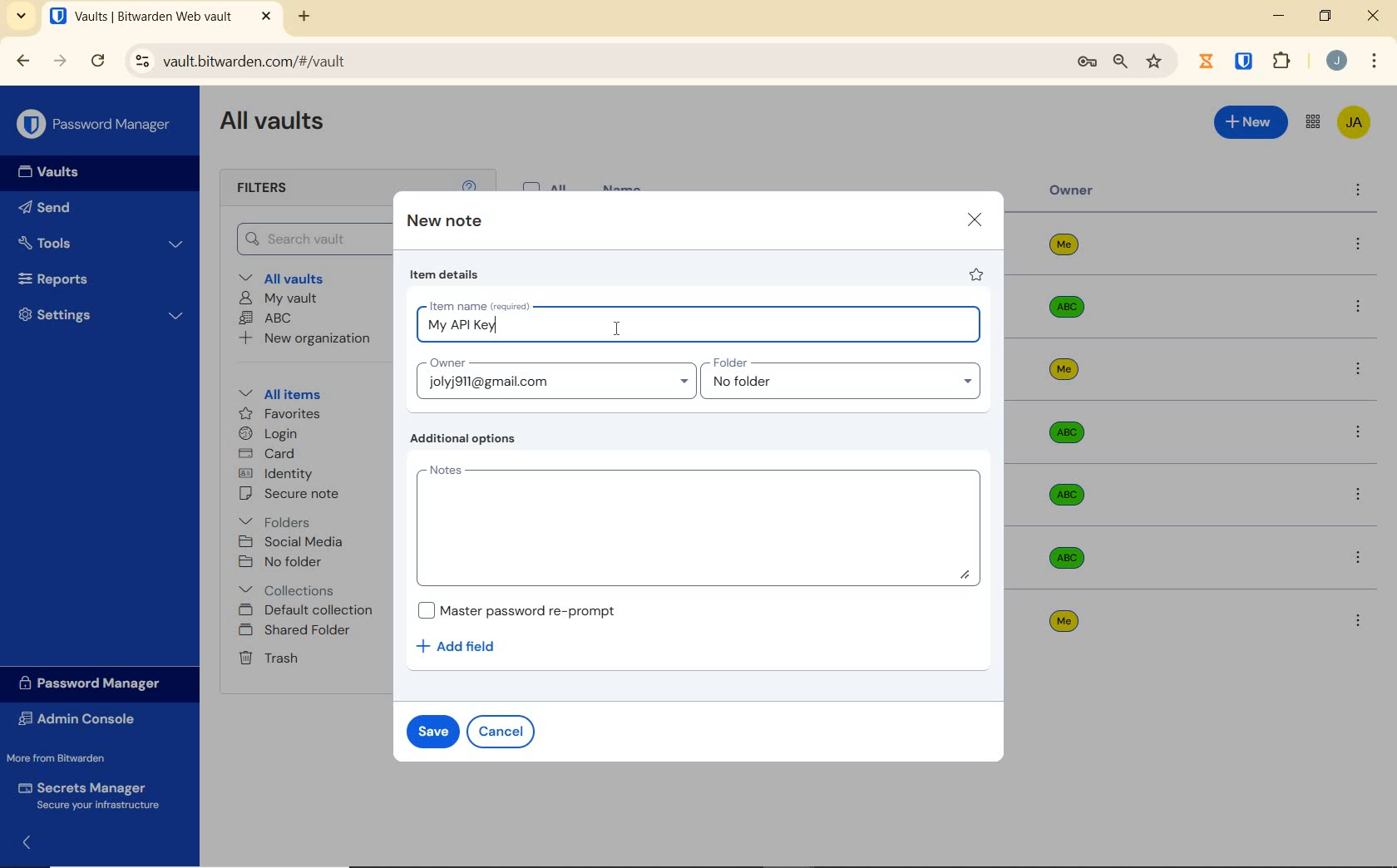 The width and height of the screenshot is (1397, 868). Describe the element at coordinates (82, 719) in the screenshot. I see `Admin Console` at that location.